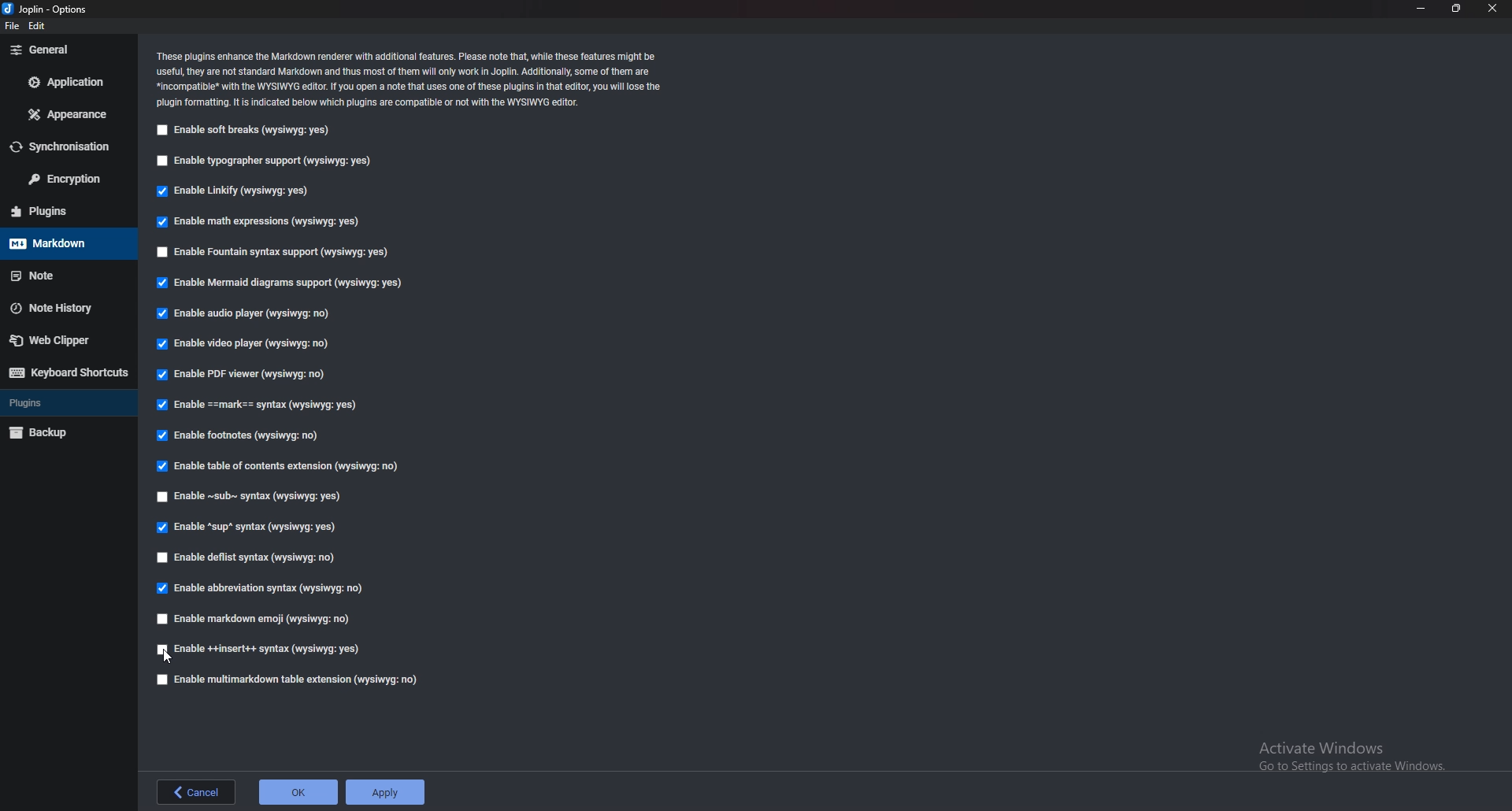 The height and width of the screenshot is (811, 1512). I want to click on keyboard shortcuts, so click(69, 373).